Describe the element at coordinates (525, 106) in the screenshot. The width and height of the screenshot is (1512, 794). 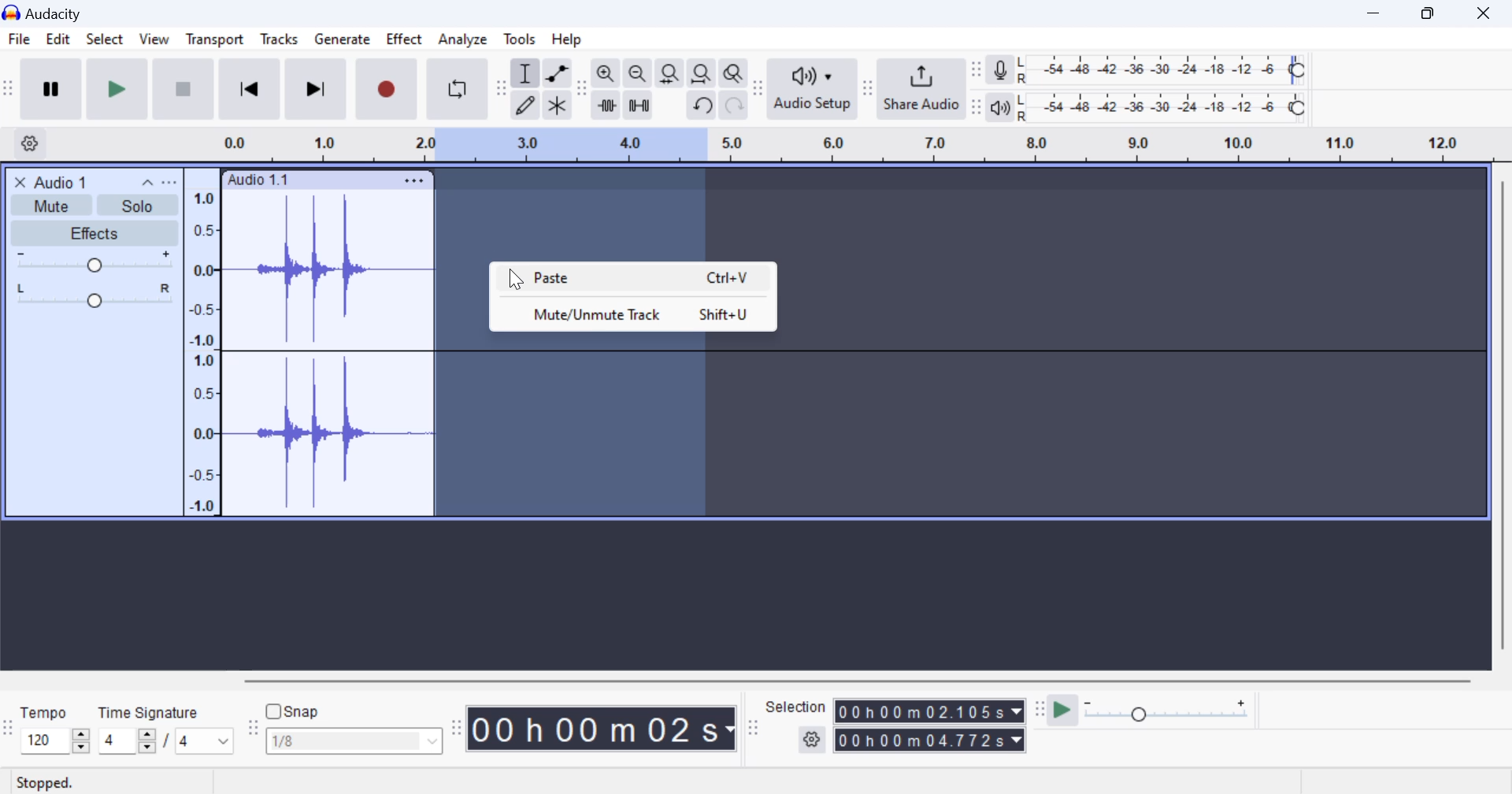
I see `draw tool` at that location.